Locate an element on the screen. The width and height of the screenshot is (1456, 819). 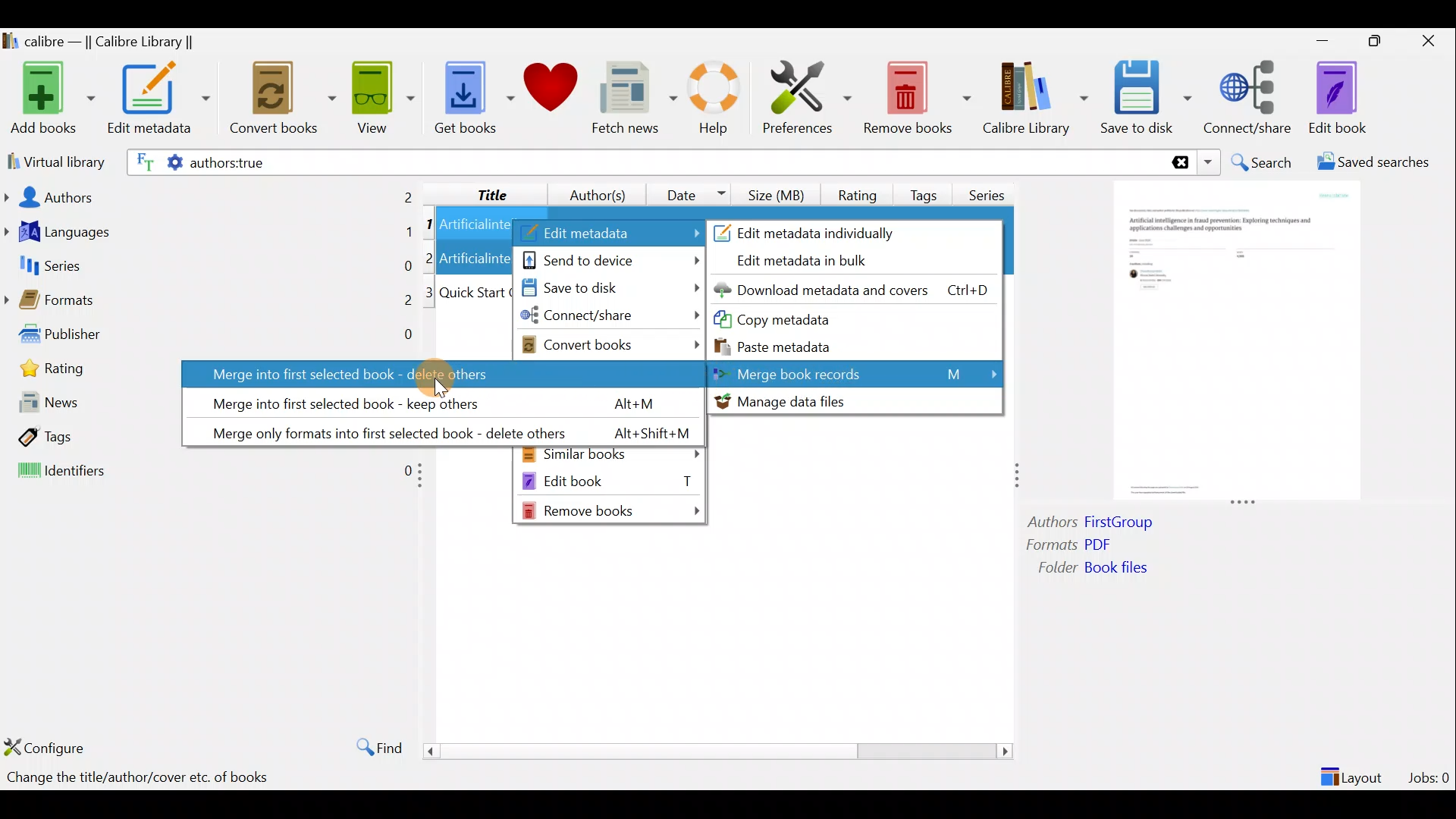
Get books is located at coordinates (472, 96).